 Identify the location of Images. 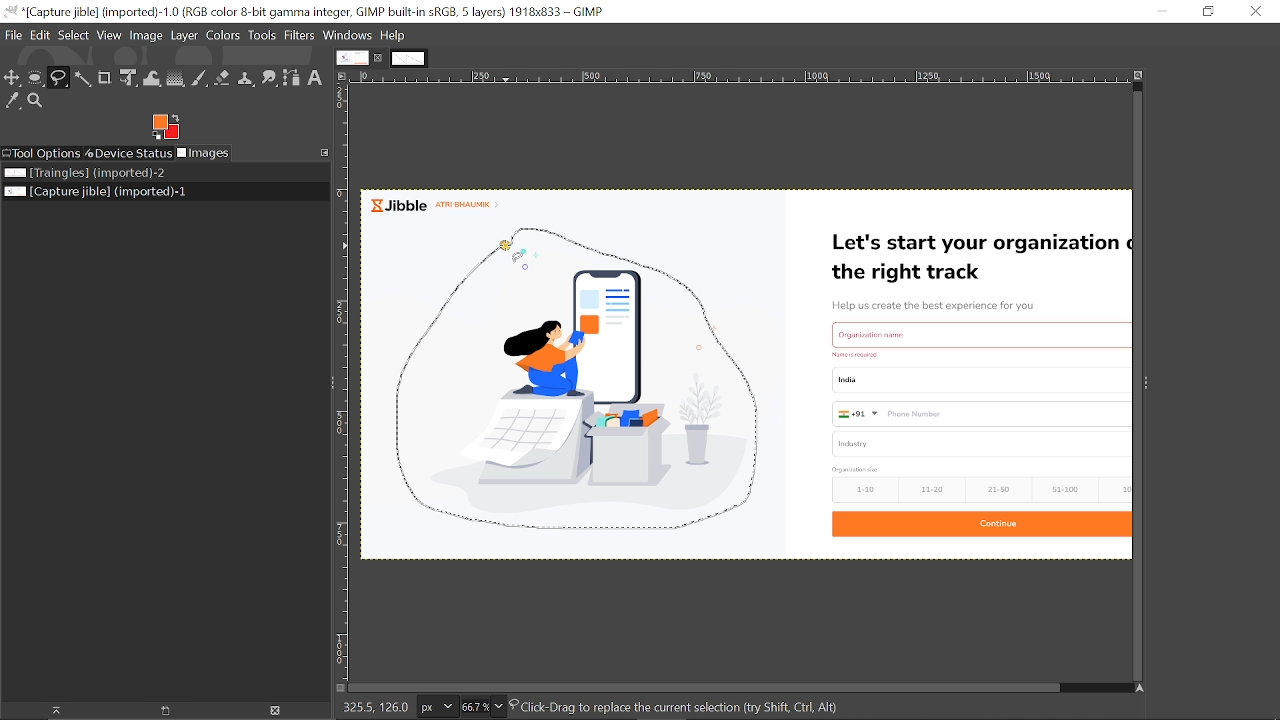
(203, 153).